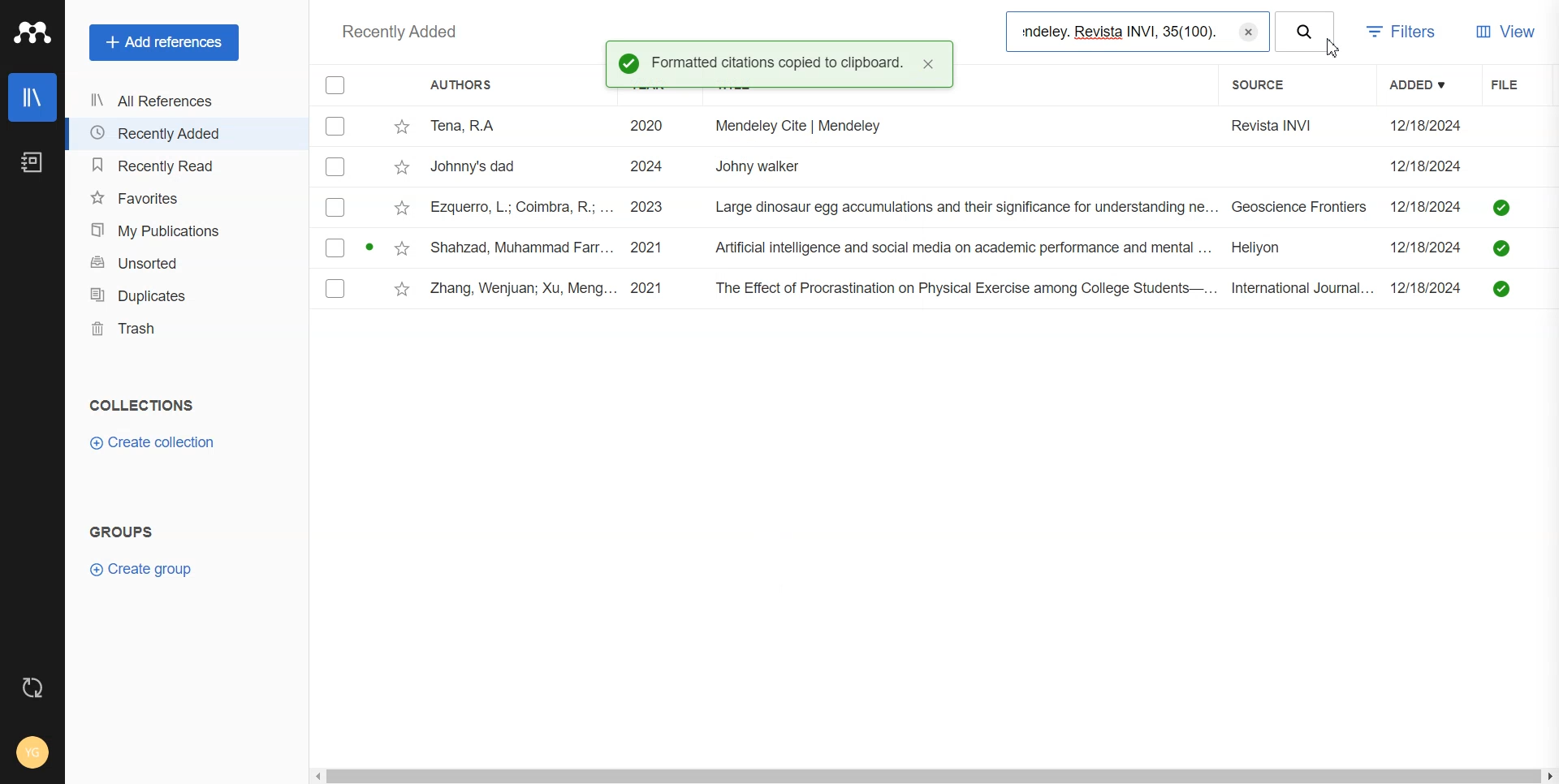  I want to click on close, so click(930, 65).